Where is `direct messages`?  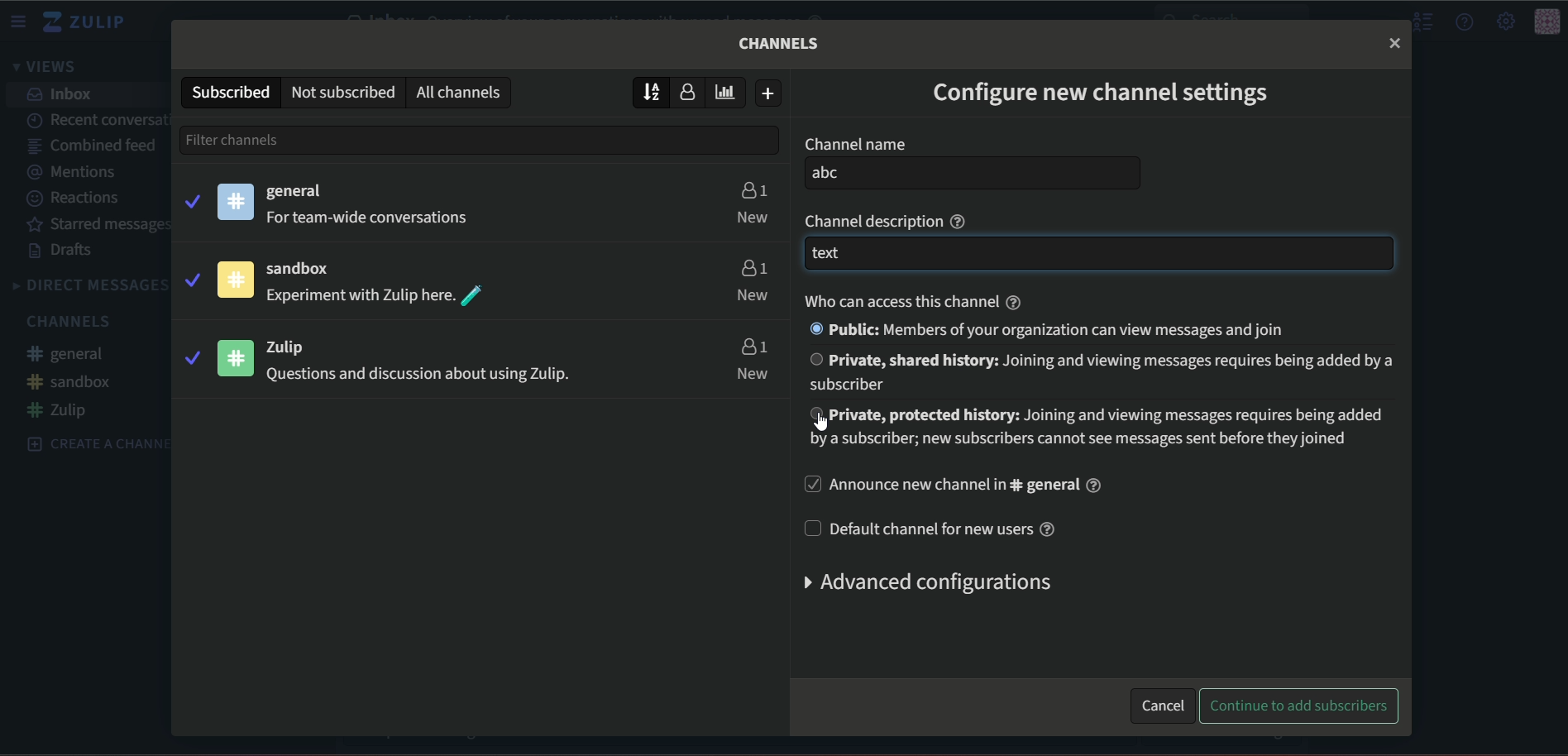
direct messages is located at coordinates (88, 285).